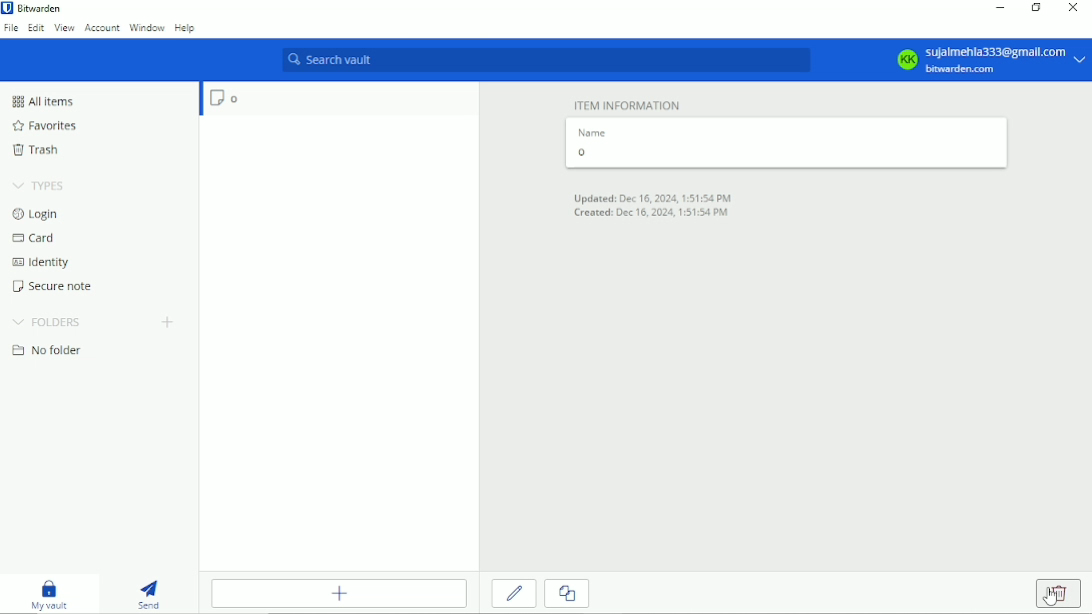 The image size is (1092, 614). I want to click on KK sujalmehla333@gmail.com     bitwarden.com, so click(989, 60).